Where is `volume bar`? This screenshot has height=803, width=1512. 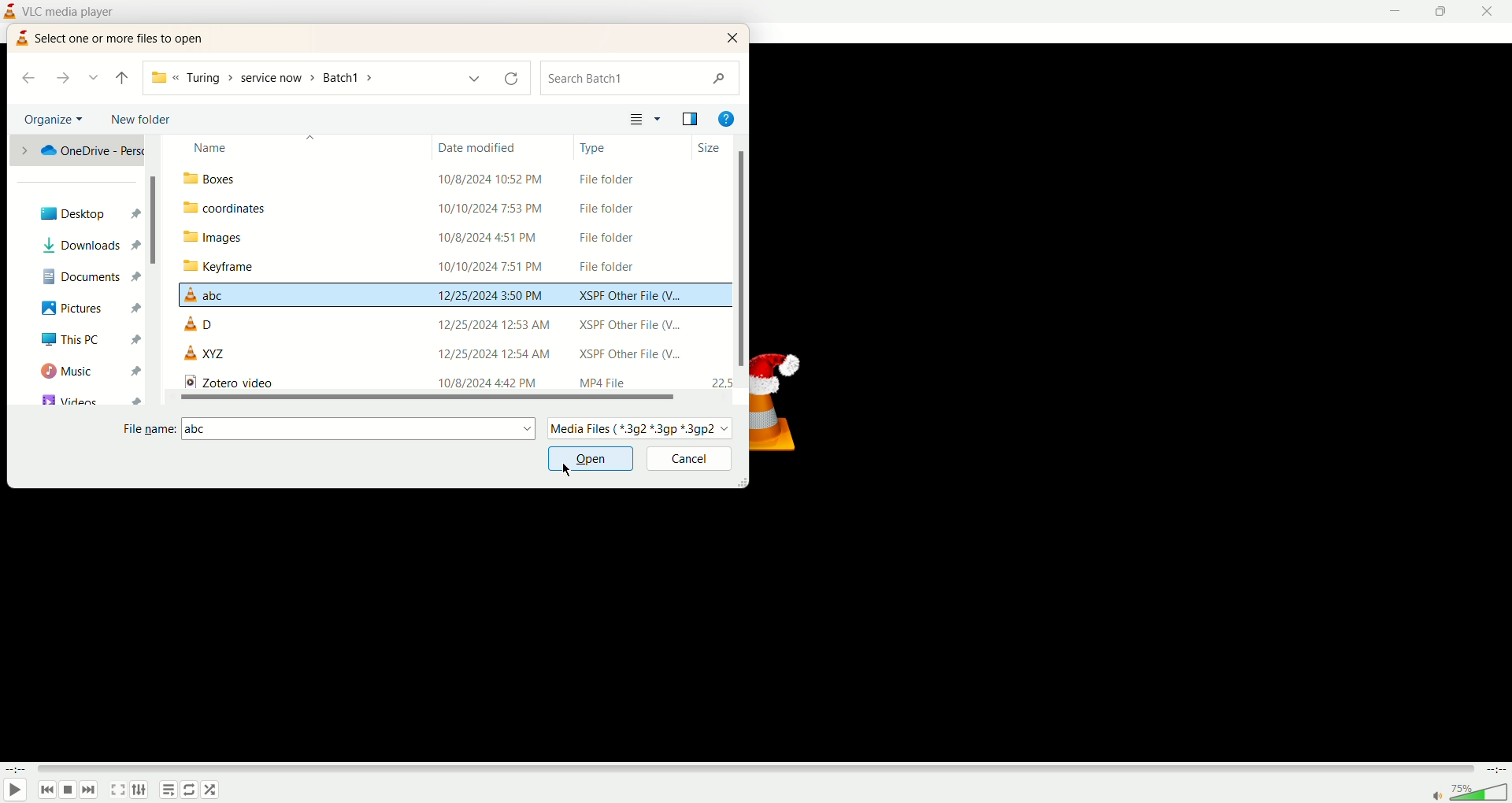
volume bar is located at coordinates (1469, 793).